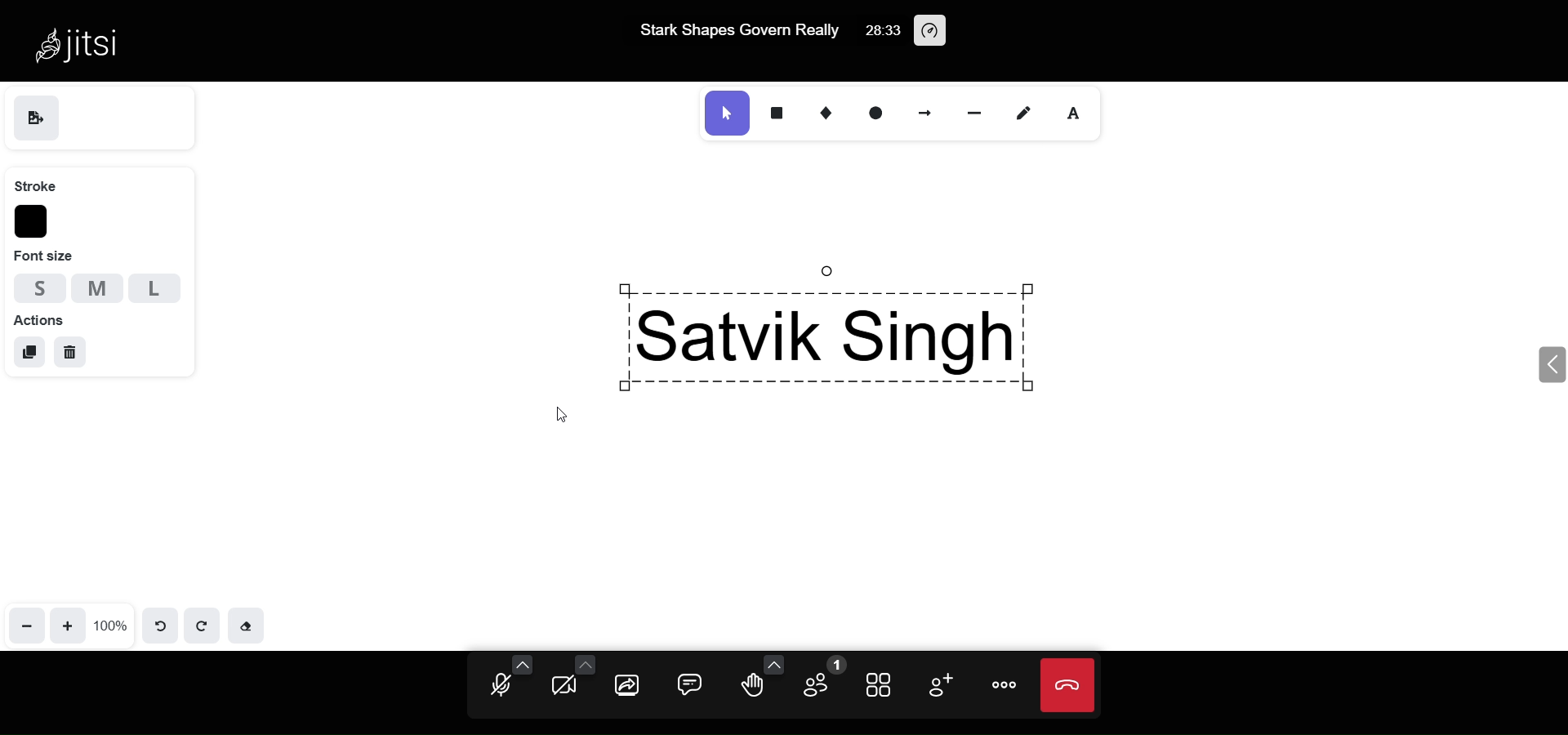 This screenshot has height=735, width=1568. What do you see at coordinates (739, 33) in the screenshot?
I see `Stark Shapes Govern Really` at bounding box center [739, 33].